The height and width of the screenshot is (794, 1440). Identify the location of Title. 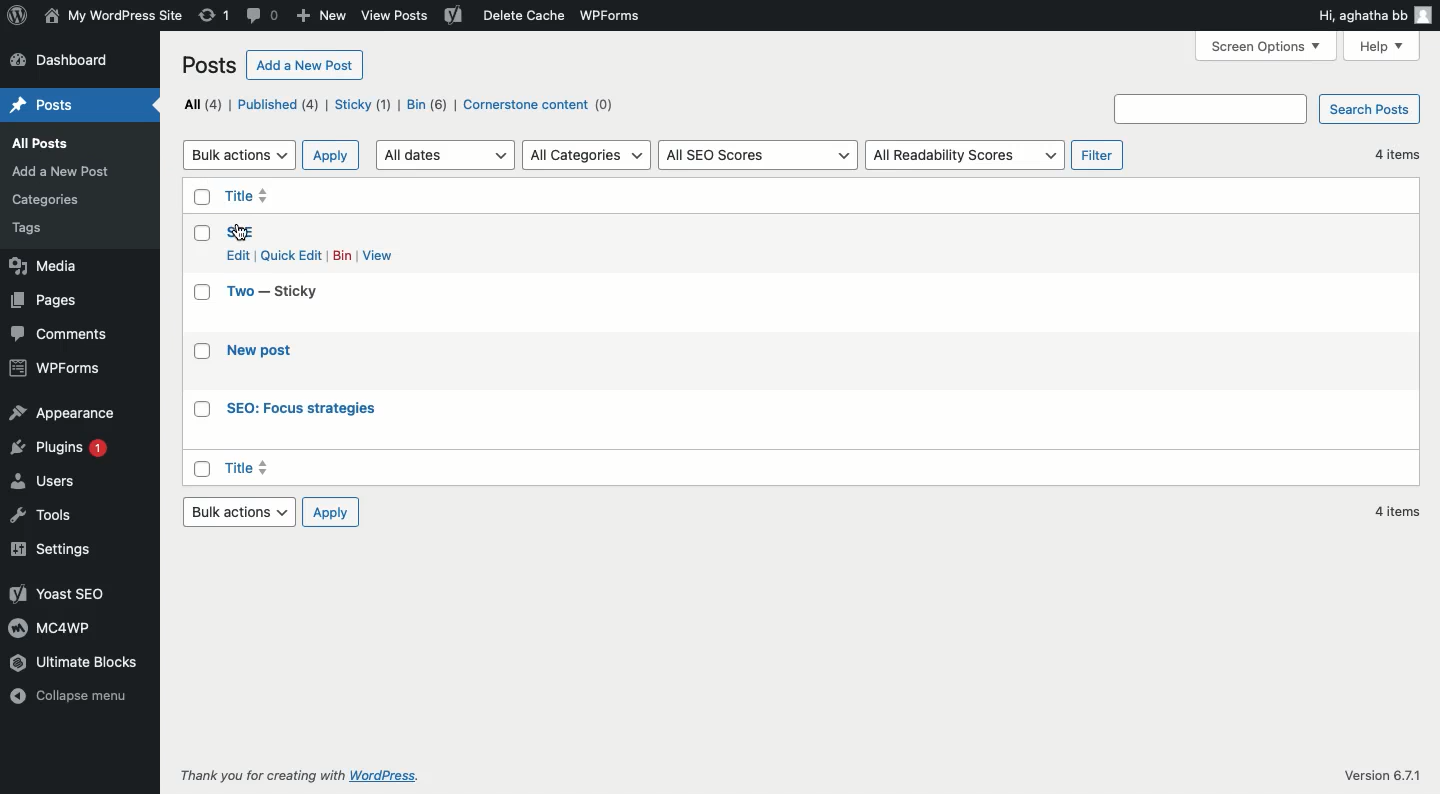
(239, 293).